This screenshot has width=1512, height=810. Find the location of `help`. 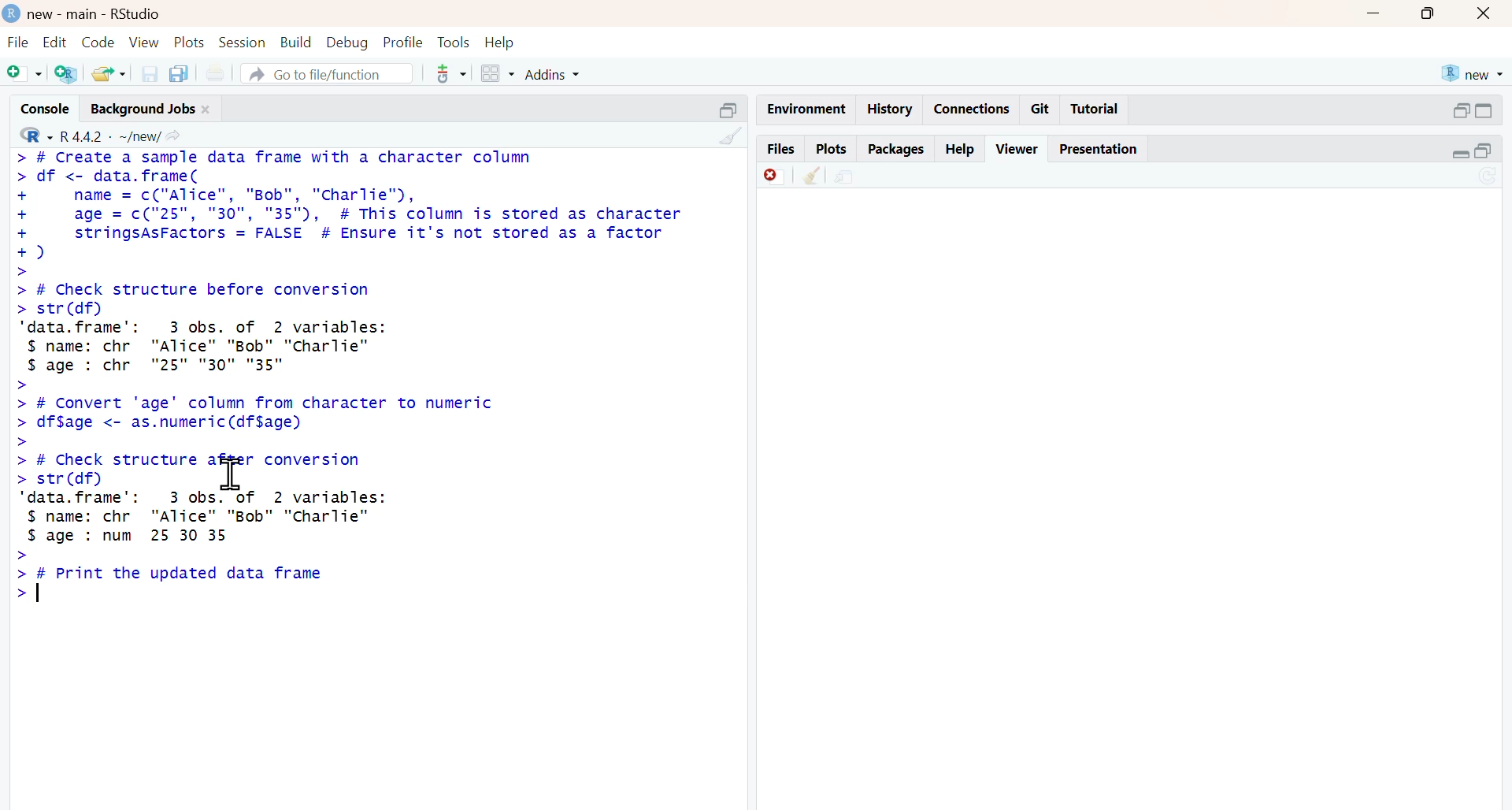

help is located at coordinates (500, 43).